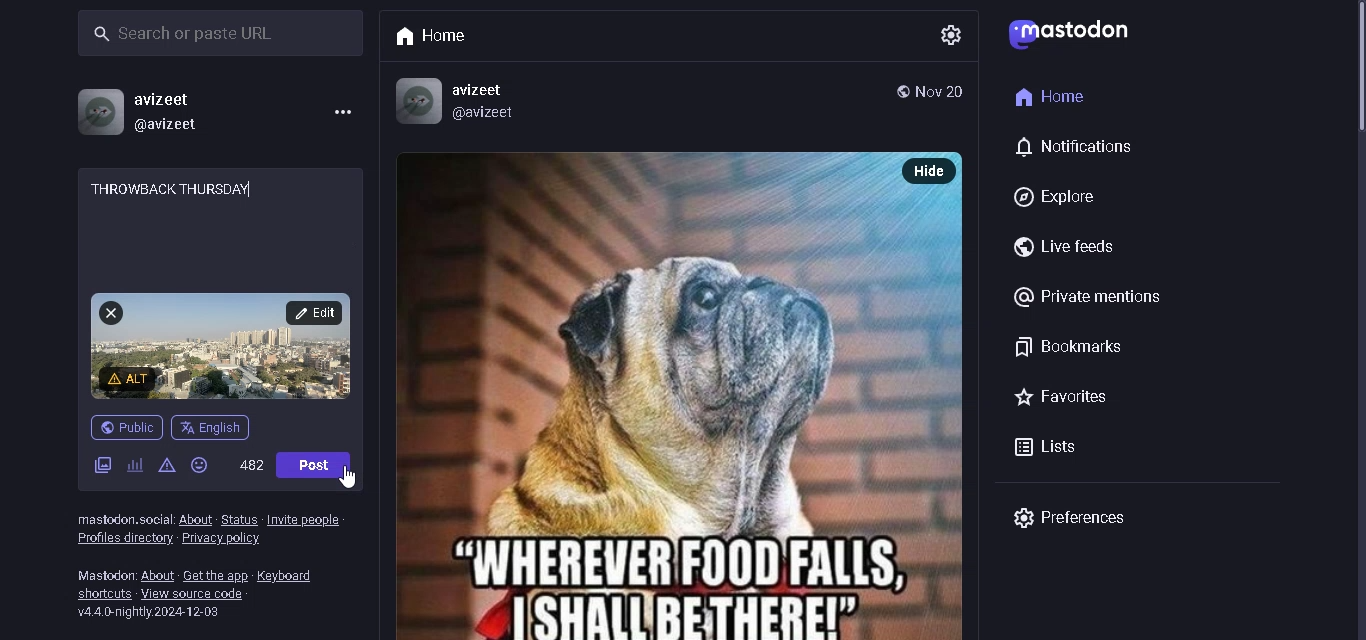 The width and height of the screenshot is (1366, 640). I want to click on edit, so click(316, 313).